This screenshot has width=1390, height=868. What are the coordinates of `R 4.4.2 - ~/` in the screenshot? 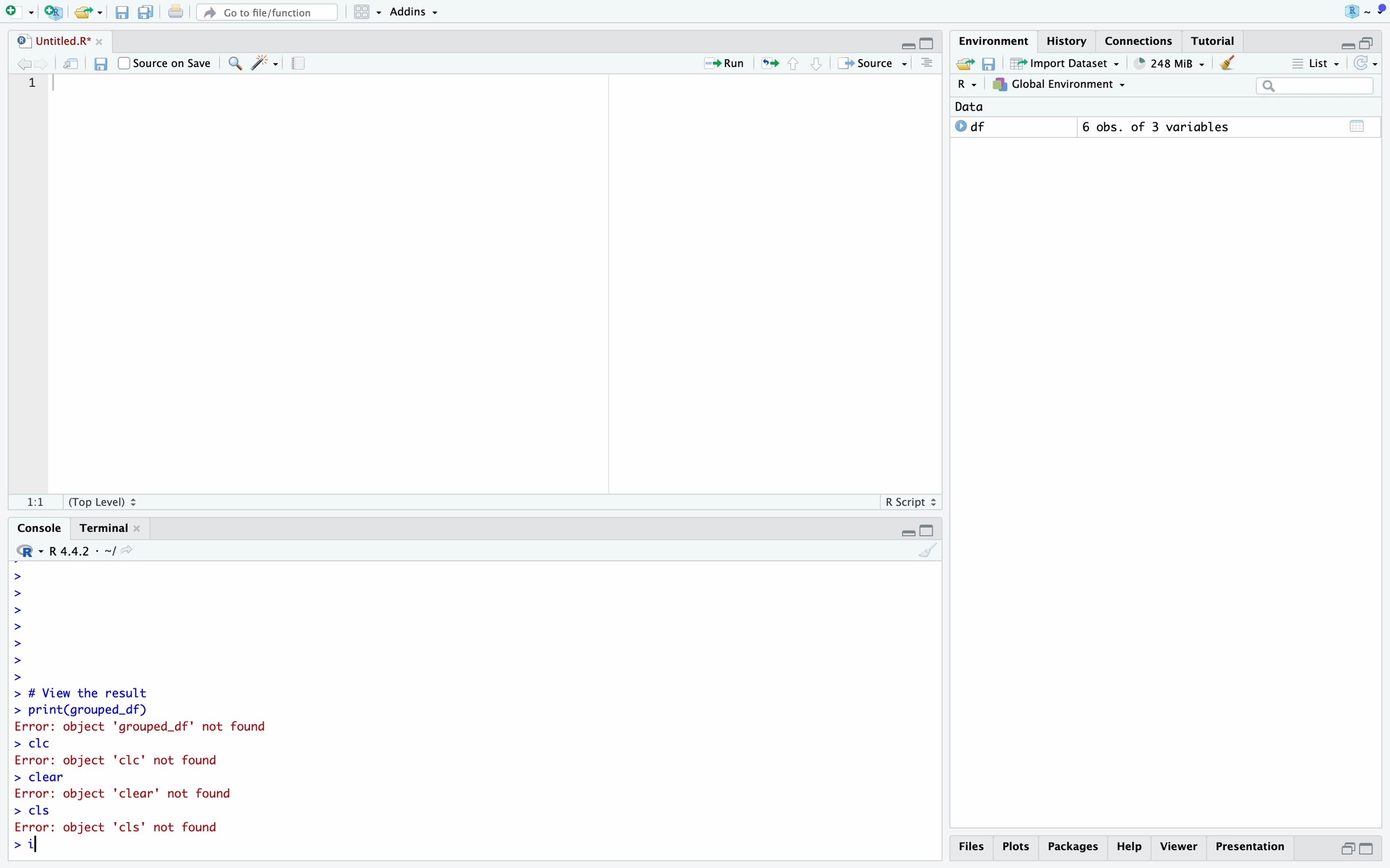 It's located at (75, 550).